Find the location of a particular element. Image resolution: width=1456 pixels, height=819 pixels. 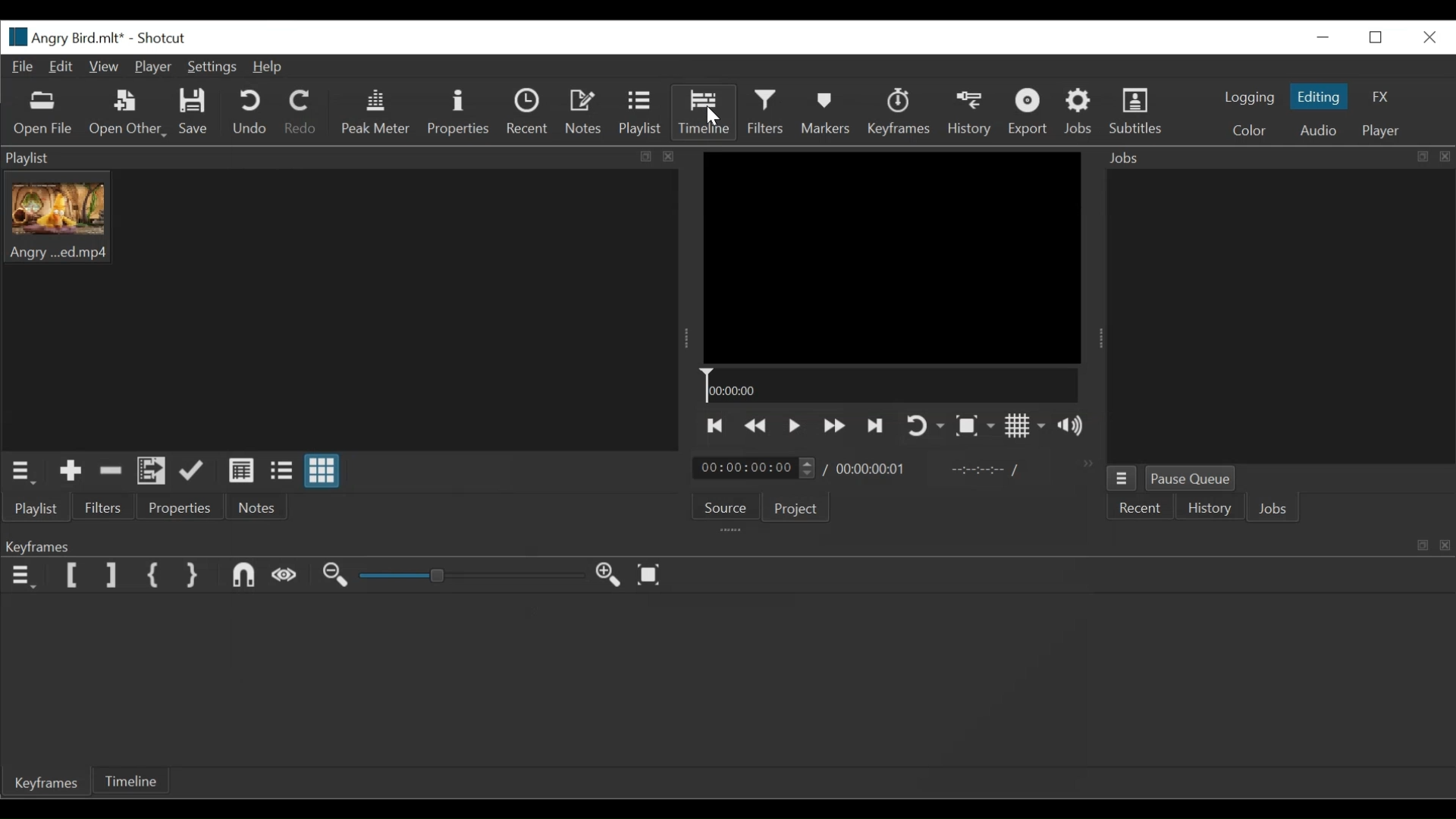

 is located at coordinates (1250, 99).